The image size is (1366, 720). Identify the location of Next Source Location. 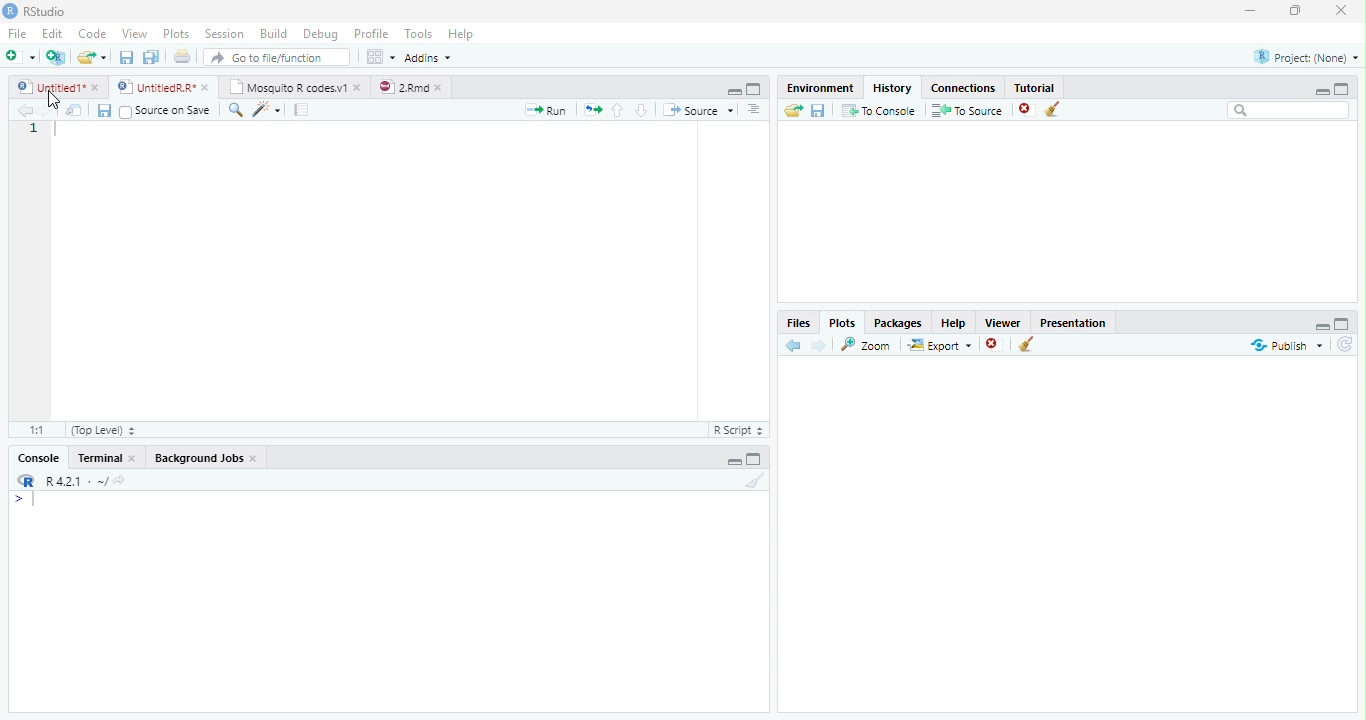
(45, 109).